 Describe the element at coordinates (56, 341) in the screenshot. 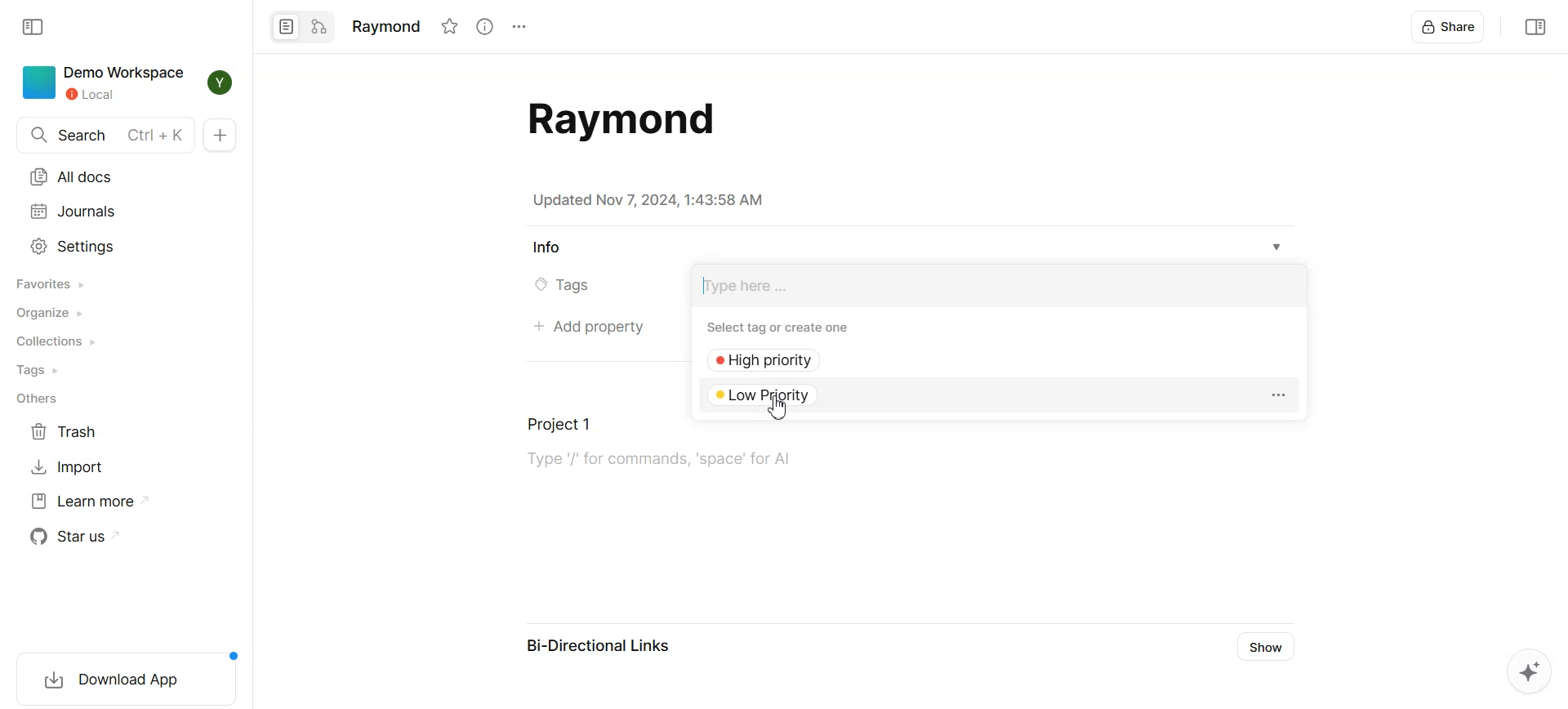

I see `Collections` at that location.